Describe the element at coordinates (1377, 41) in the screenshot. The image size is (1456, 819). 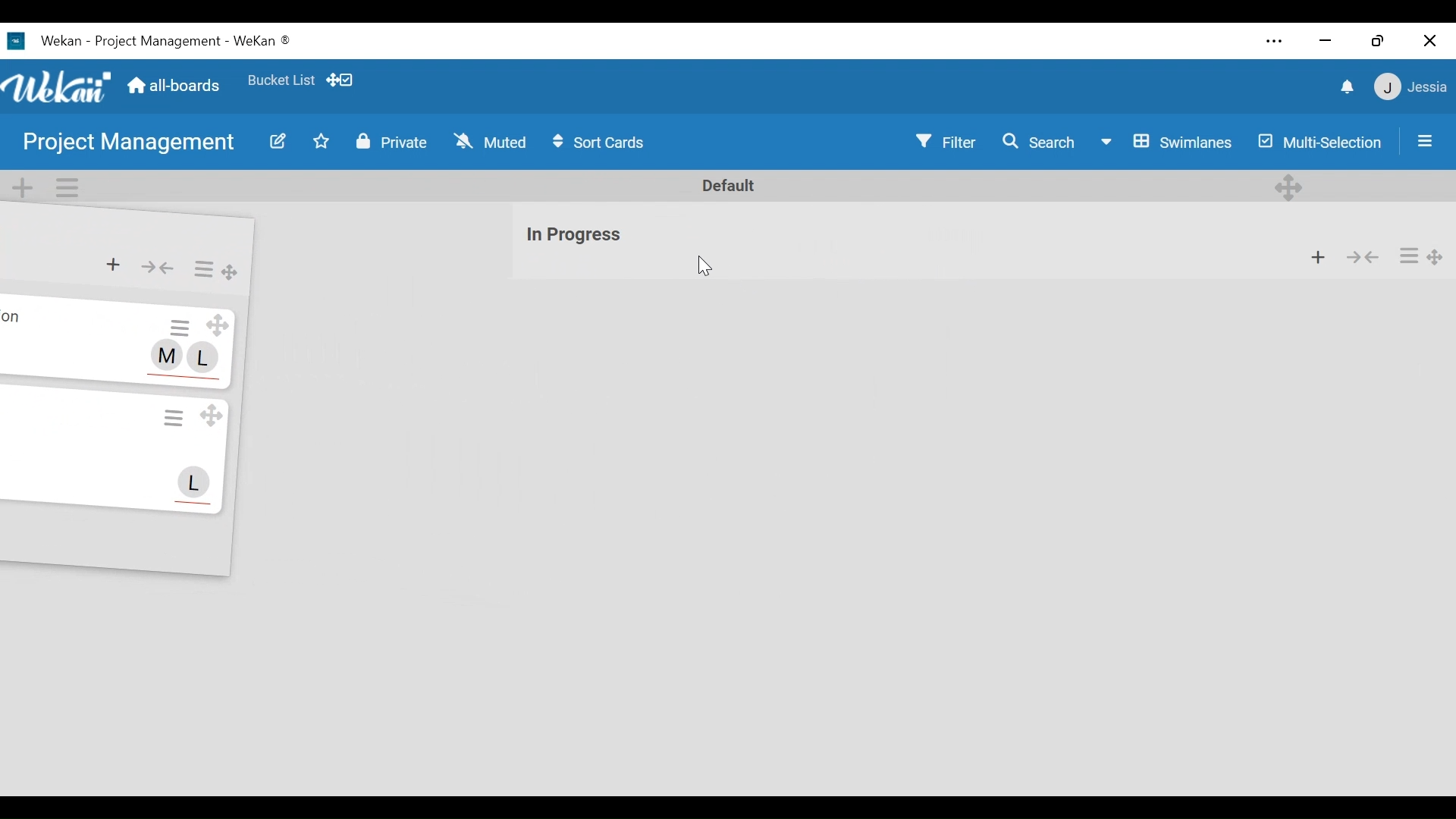
I see `restore` at that location.